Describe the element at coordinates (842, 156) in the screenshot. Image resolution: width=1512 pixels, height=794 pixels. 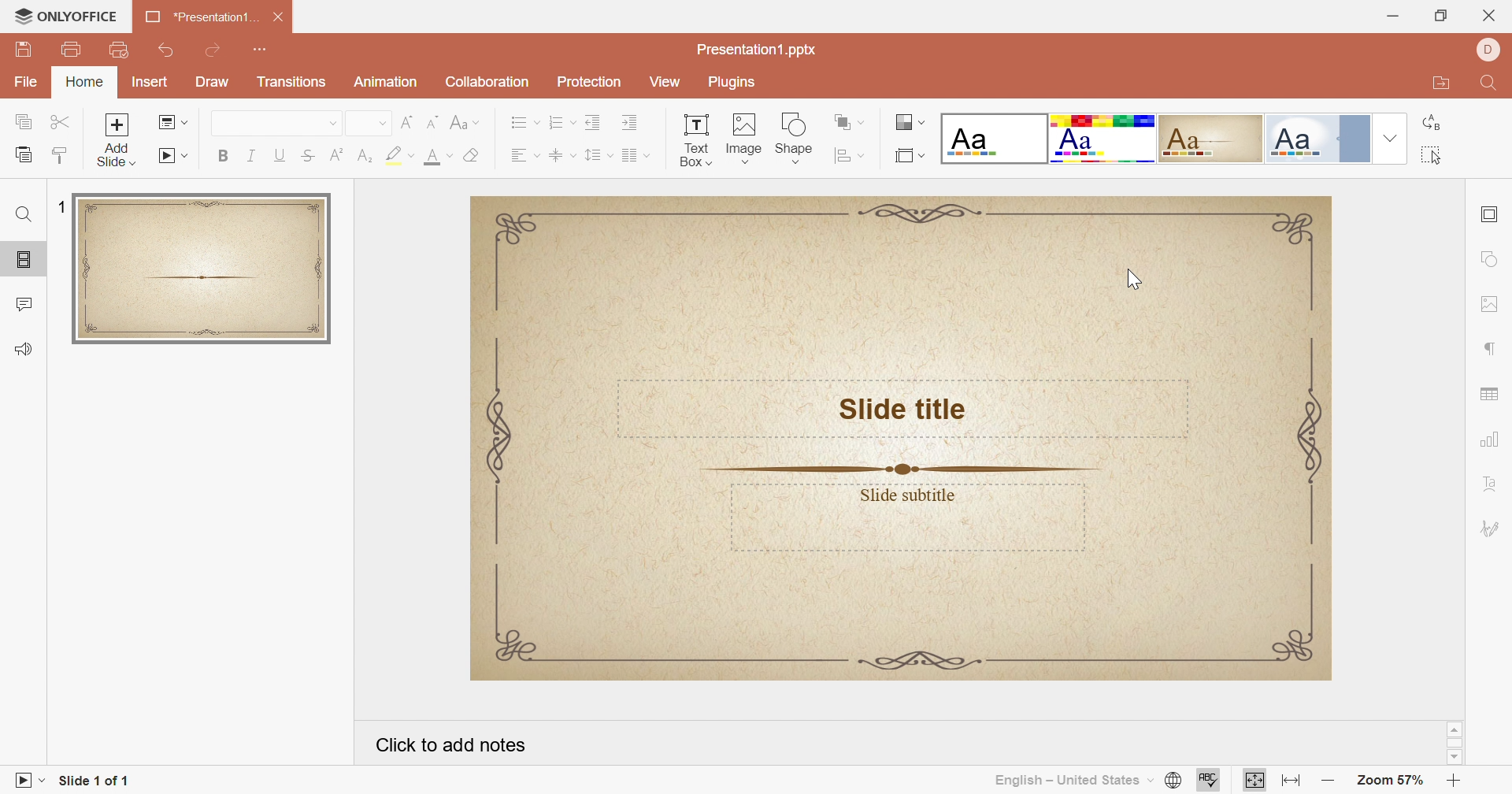
I see `Align shape` at that location.